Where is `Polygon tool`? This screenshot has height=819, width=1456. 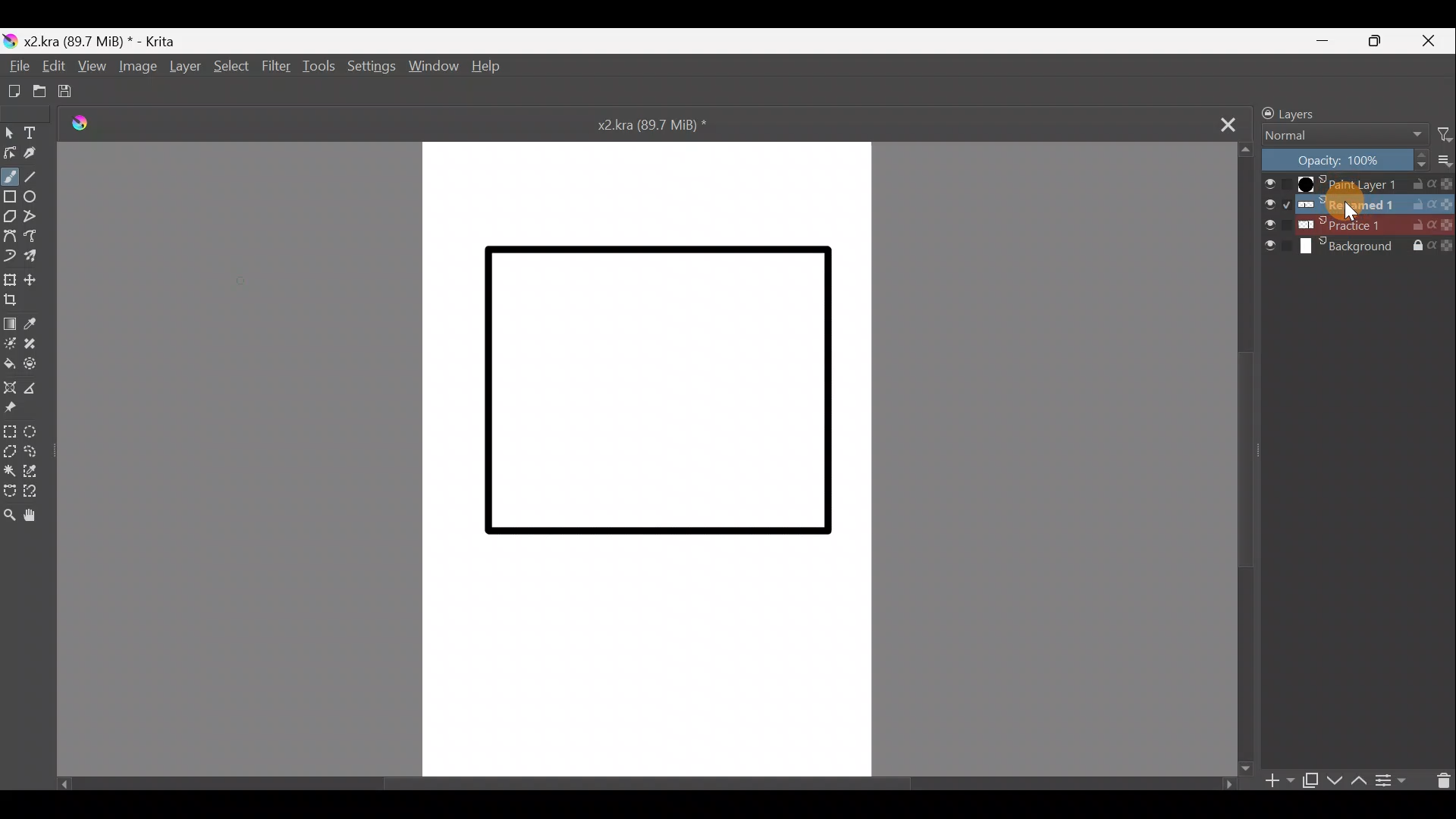
Polygon tool is located at coordinates (9, 218).